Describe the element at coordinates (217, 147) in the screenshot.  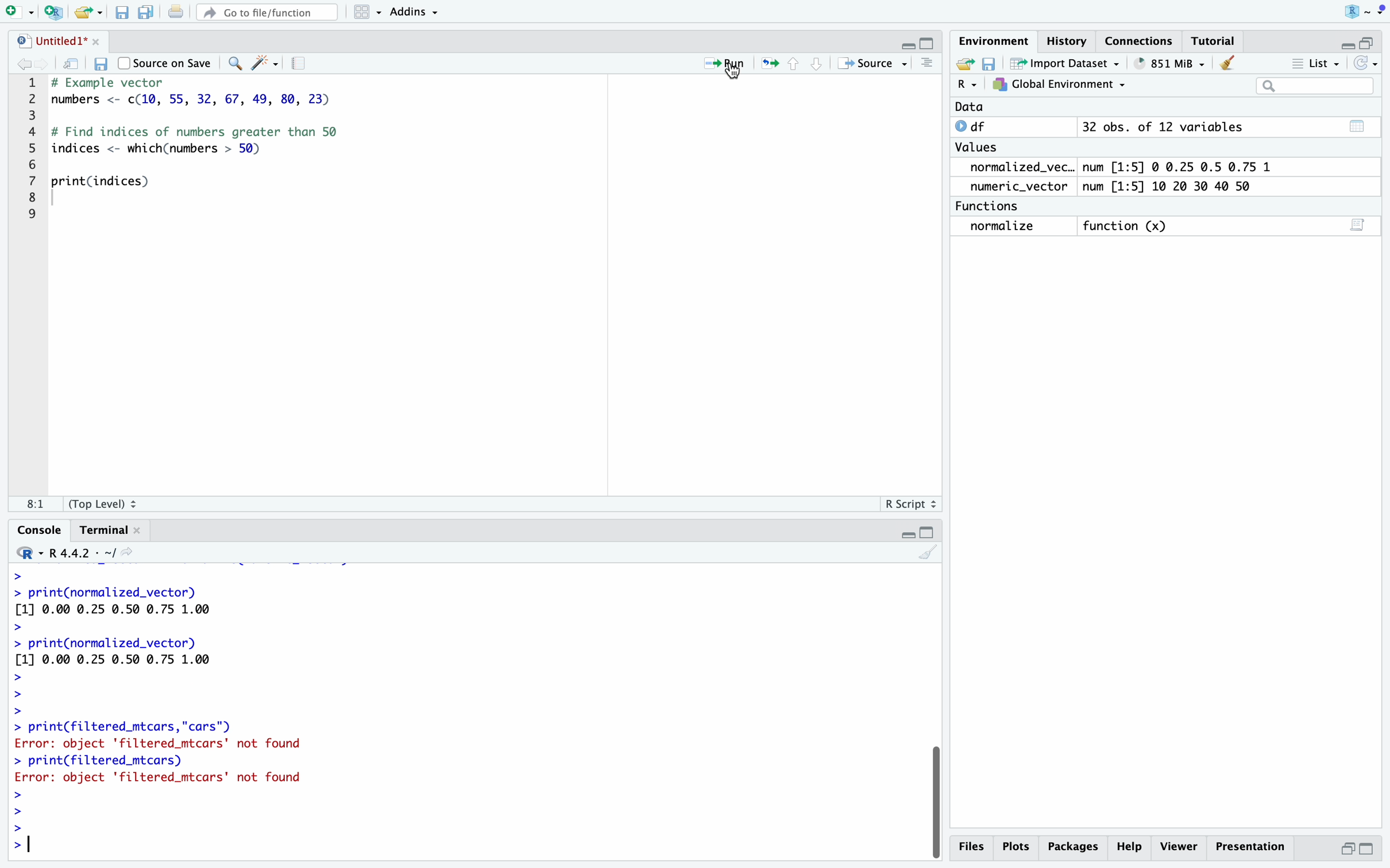
I see `imbers <- c(1@, 55, 32, 67, 49, 80, :
Find indices of numbers greater thar
dices <- which(numbers > 50)
"int(indices)` at that location.